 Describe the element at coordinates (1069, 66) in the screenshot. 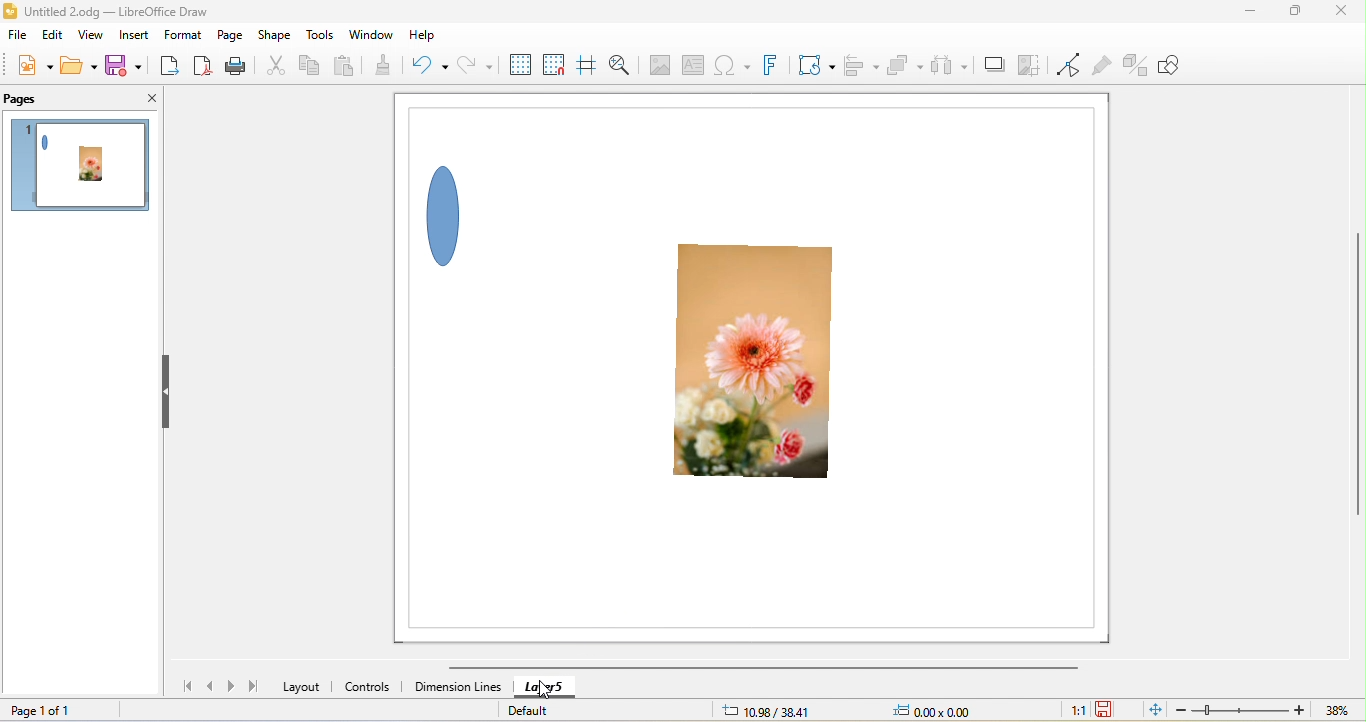

I see `toggle point edit mode` at that location.